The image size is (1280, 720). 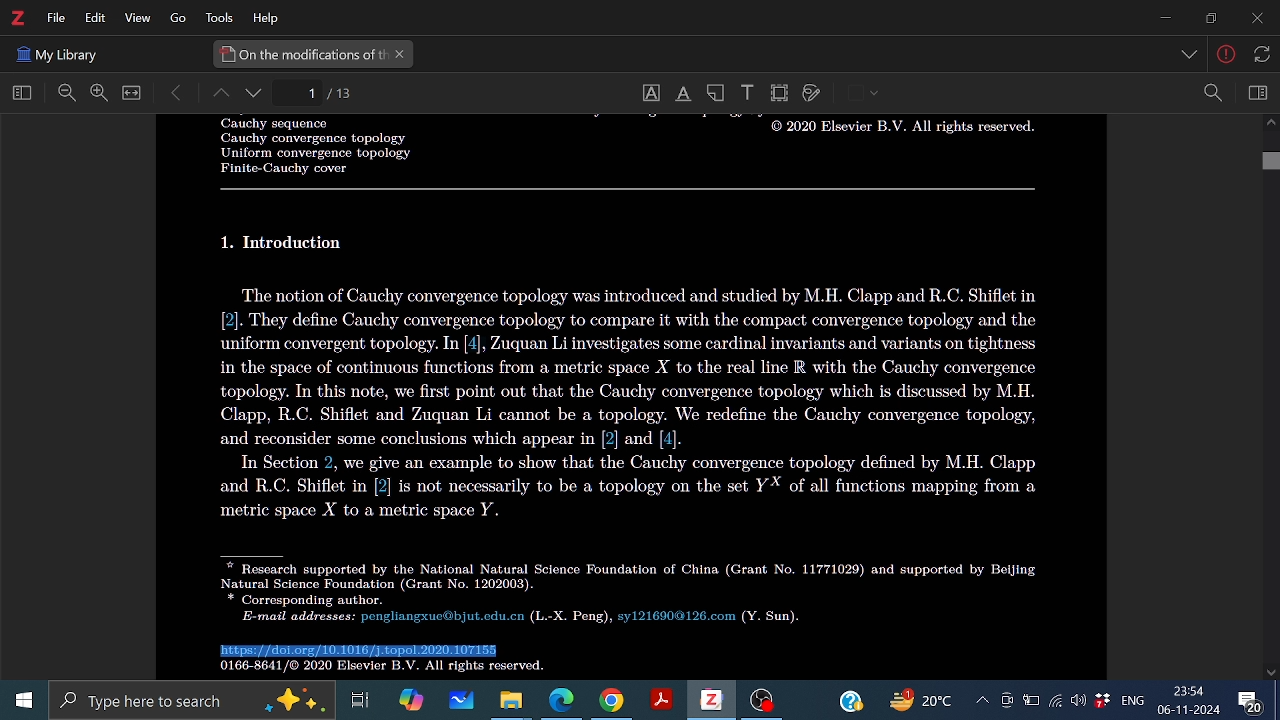 What do you see at coordinates (374, 669) in the screenshot?
I see `` at bounding box center [374, 669].